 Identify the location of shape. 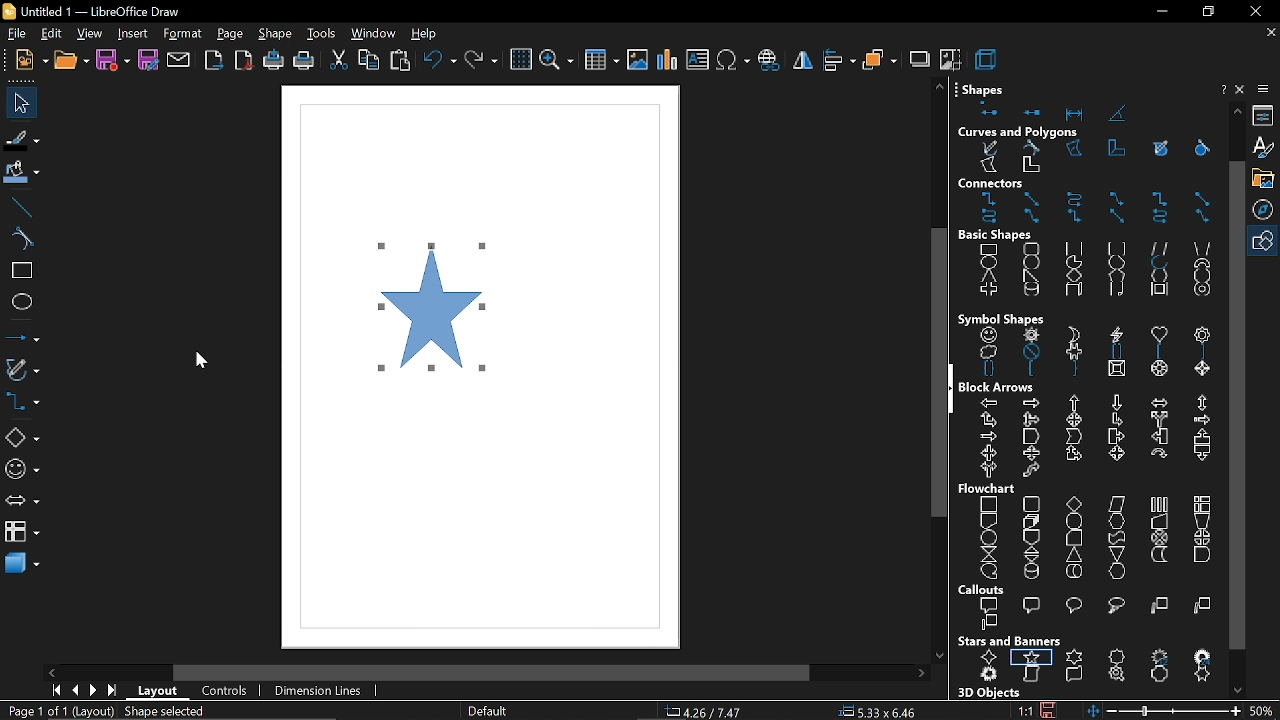
(276, 34).